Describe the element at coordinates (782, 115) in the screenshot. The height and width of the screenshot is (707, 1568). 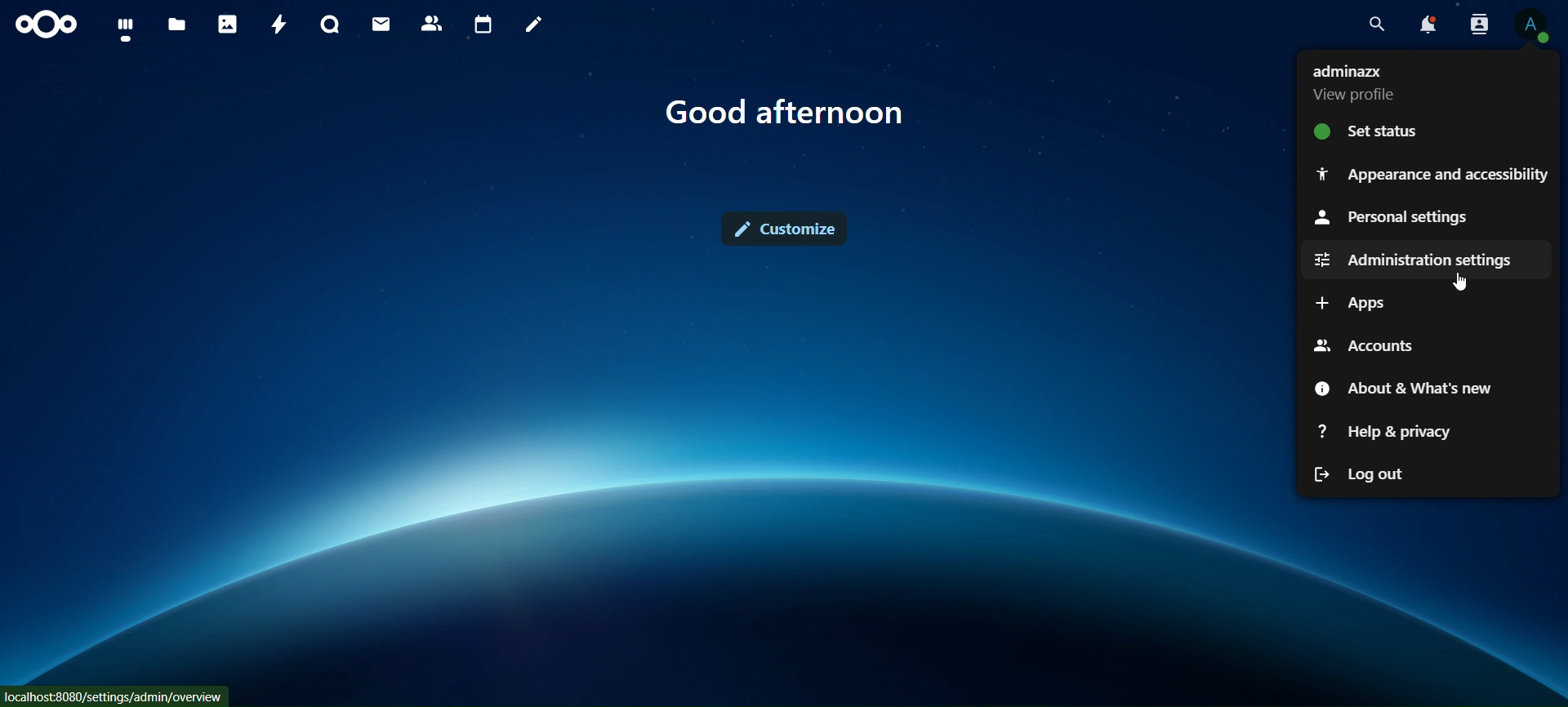
I see `text ` at that location.